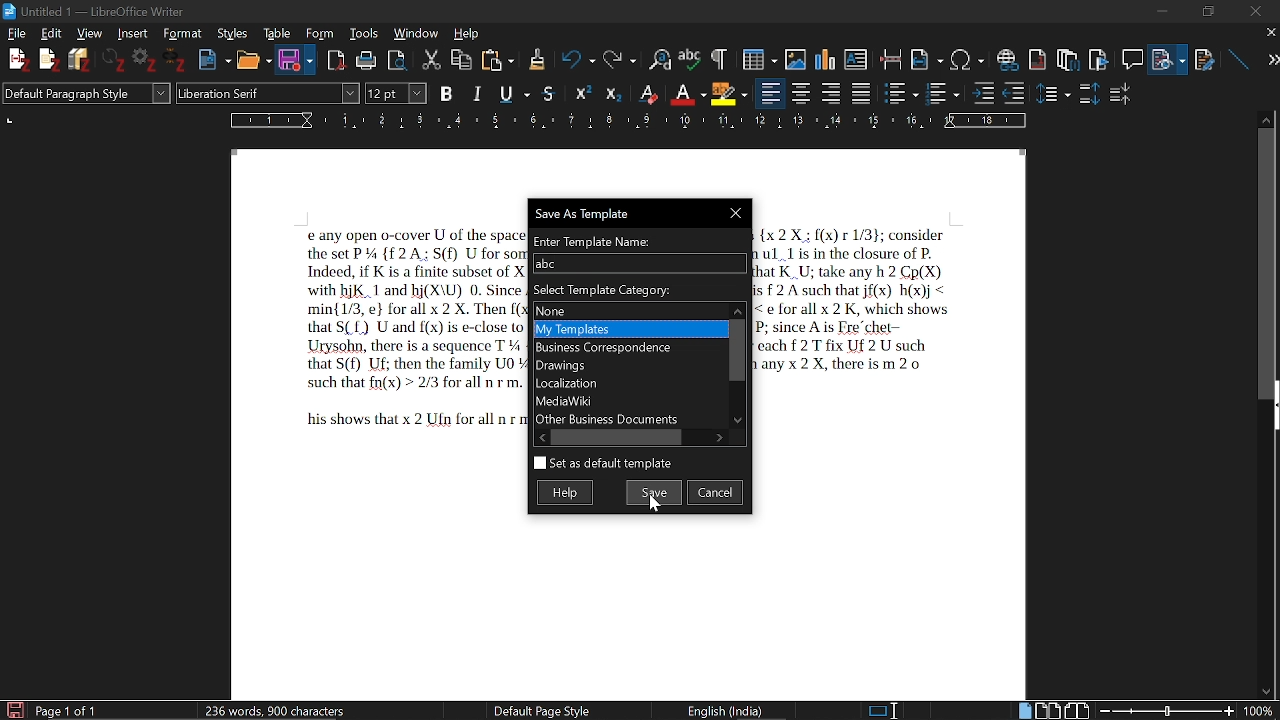  Describe the element at coordinates (228, 95) in the screenshot. I see `Liberation Serif` at that location.